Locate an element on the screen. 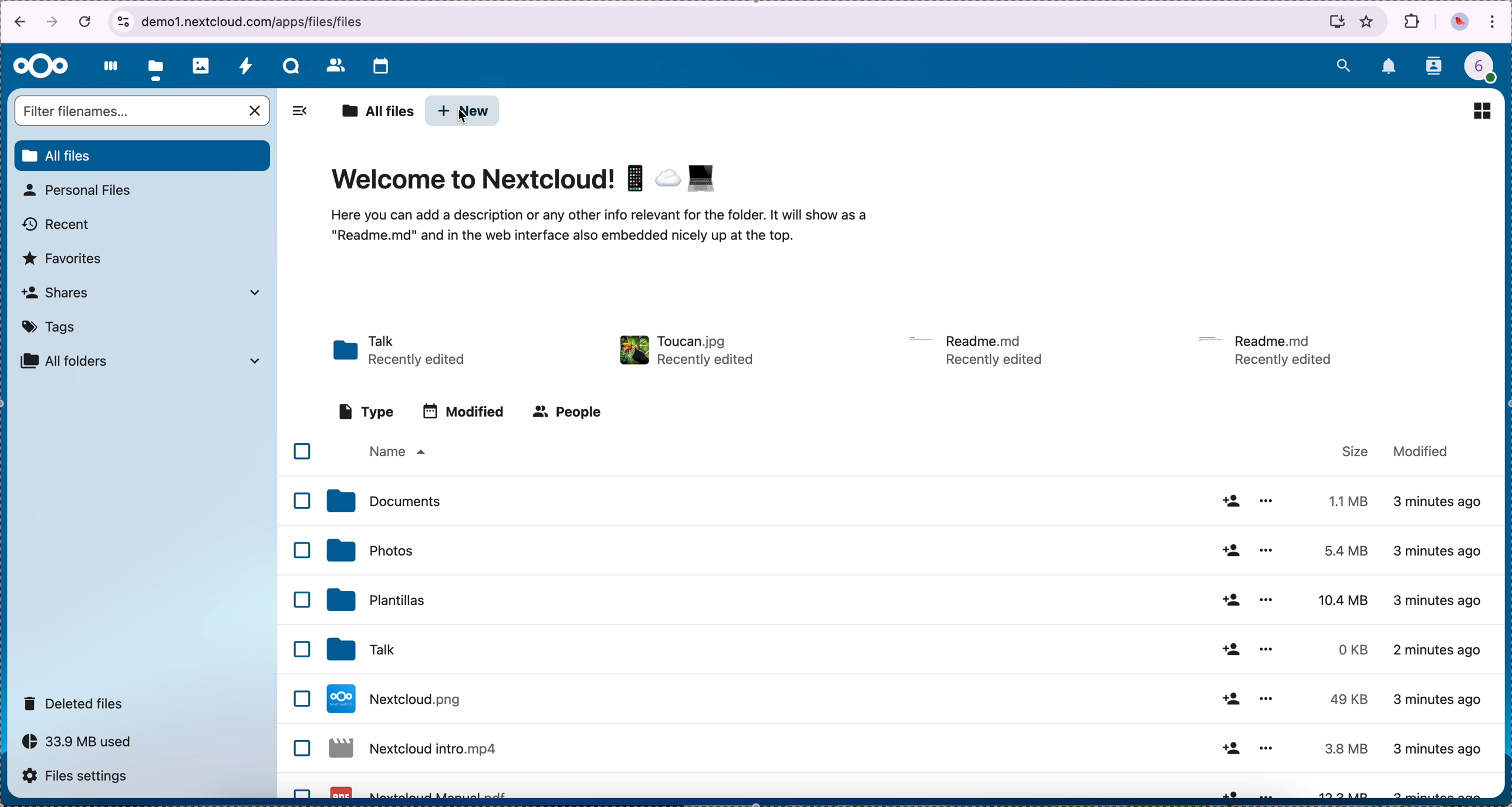 This screenshot has height=807, width=1512. more options is located at coordinates (1268, 650).